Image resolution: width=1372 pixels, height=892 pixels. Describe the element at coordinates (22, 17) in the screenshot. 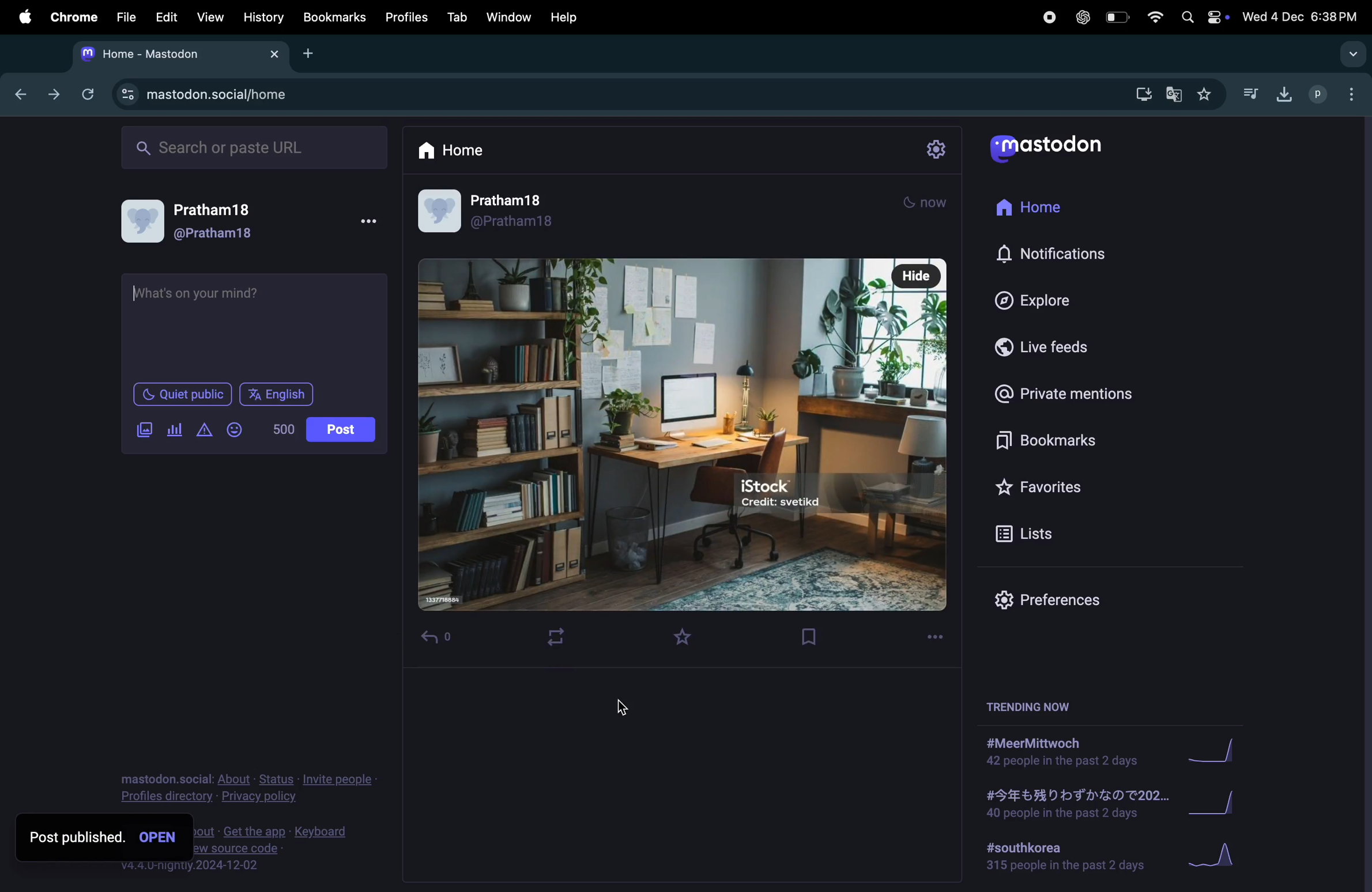

I see `apple menu` at that location.